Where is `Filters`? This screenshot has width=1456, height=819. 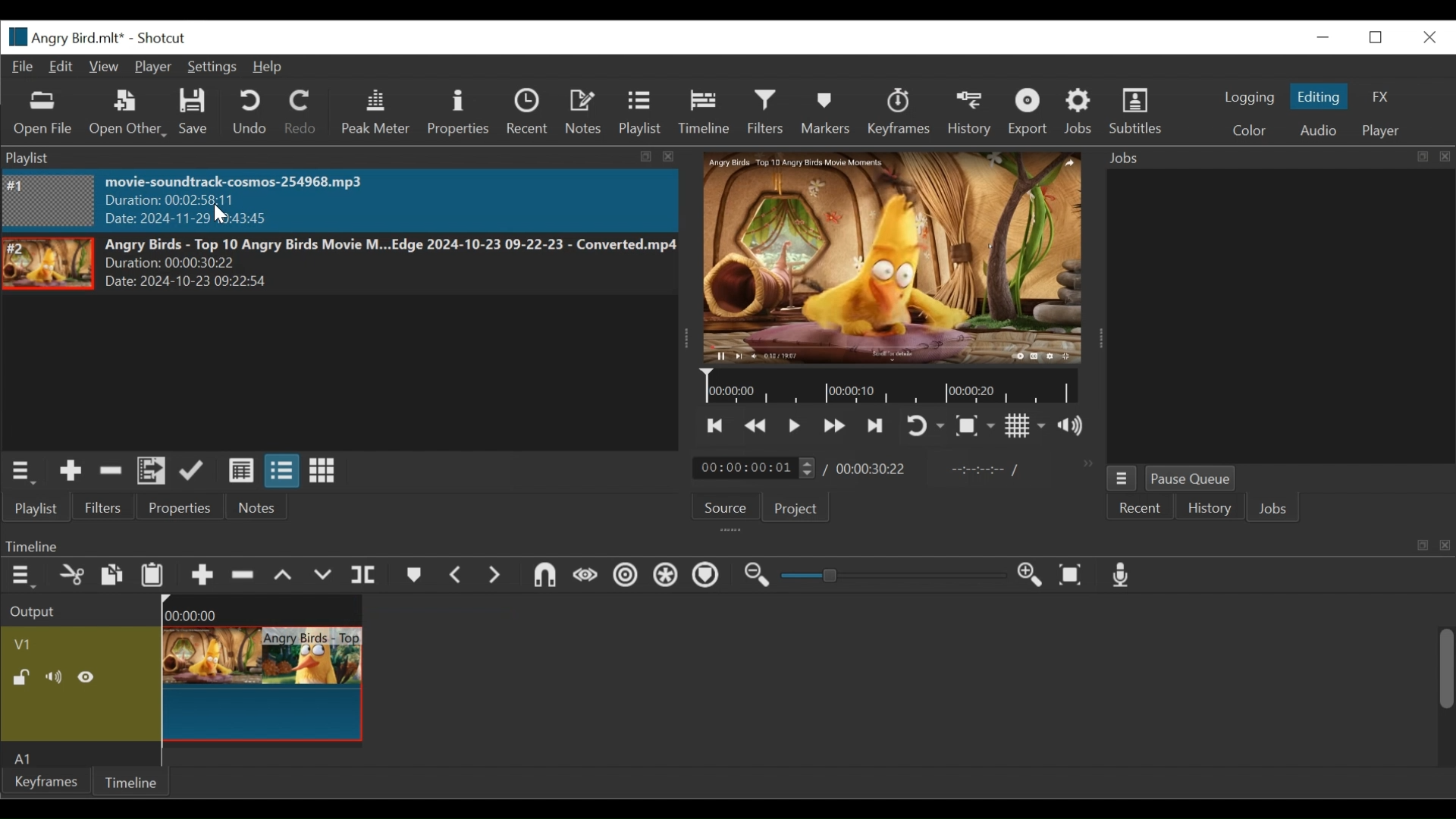 Filters is located at coordinates (110, 507).